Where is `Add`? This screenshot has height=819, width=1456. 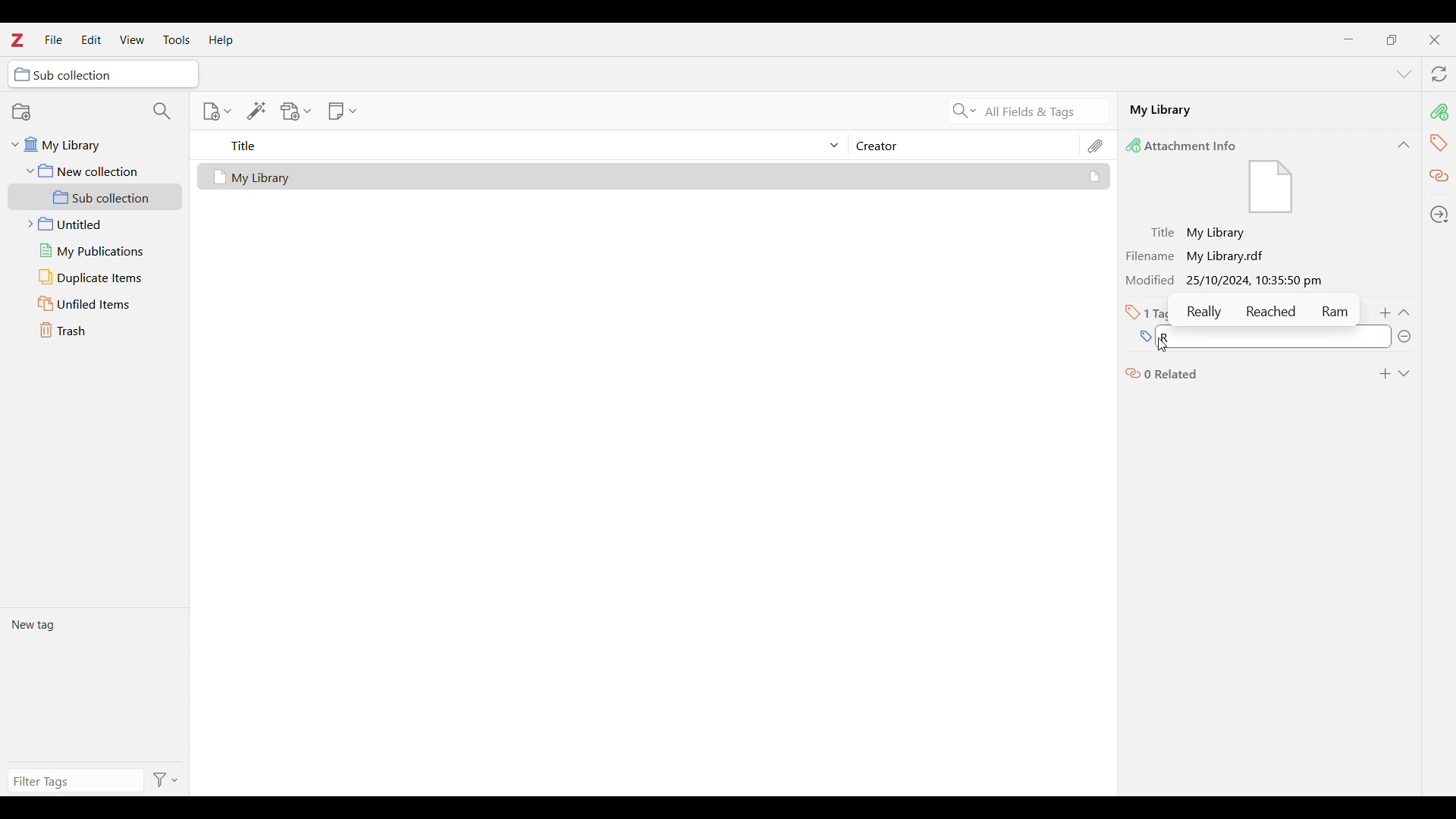
Add is located at coordinates (1385, 374).